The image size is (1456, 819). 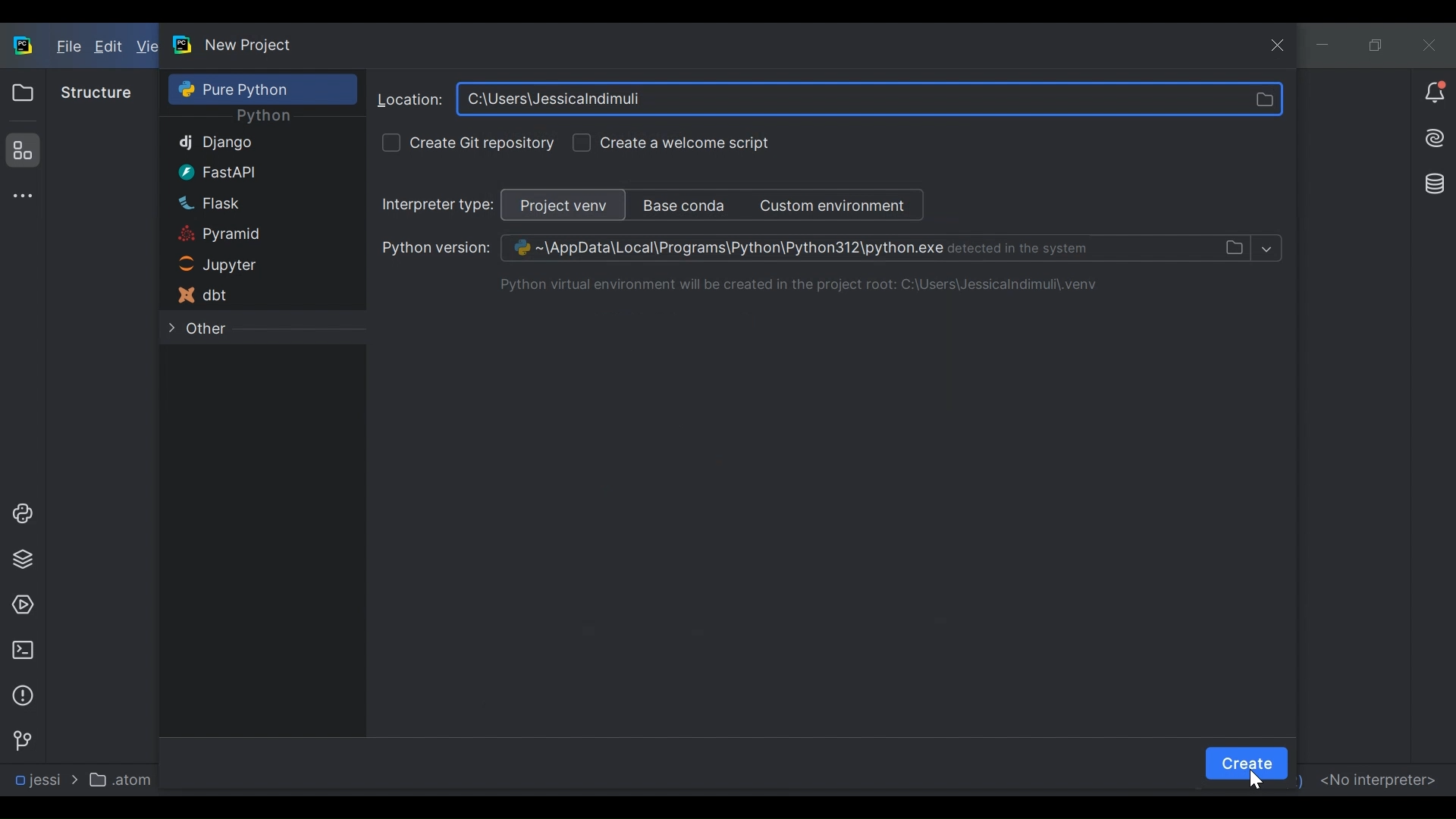 What do you see at coordinates (20, 150) in the screenshot?
I see `Structure` at bounding box center [20, 150].